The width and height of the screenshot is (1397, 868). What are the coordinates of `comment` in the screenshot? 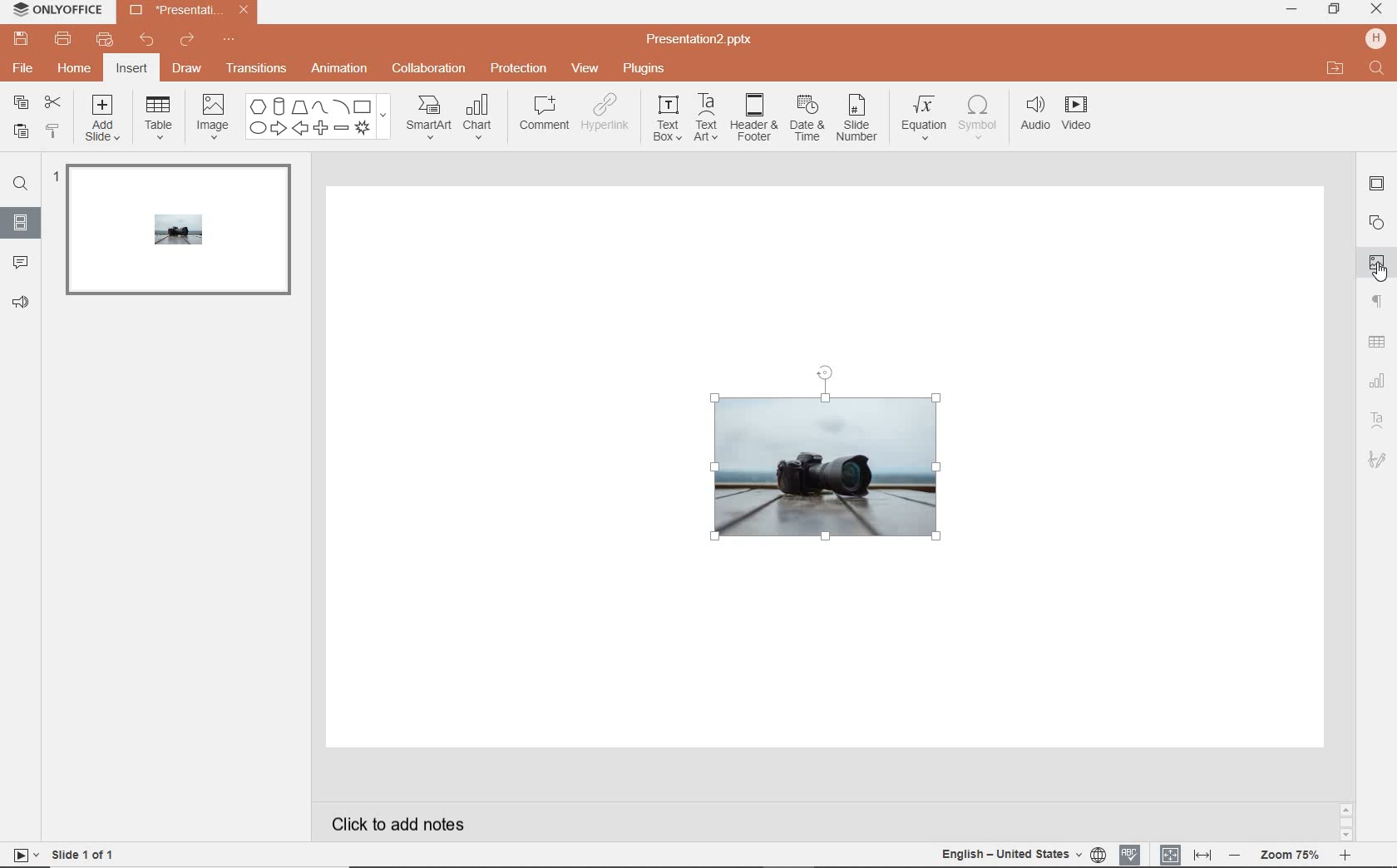 It's located at (21, 264).